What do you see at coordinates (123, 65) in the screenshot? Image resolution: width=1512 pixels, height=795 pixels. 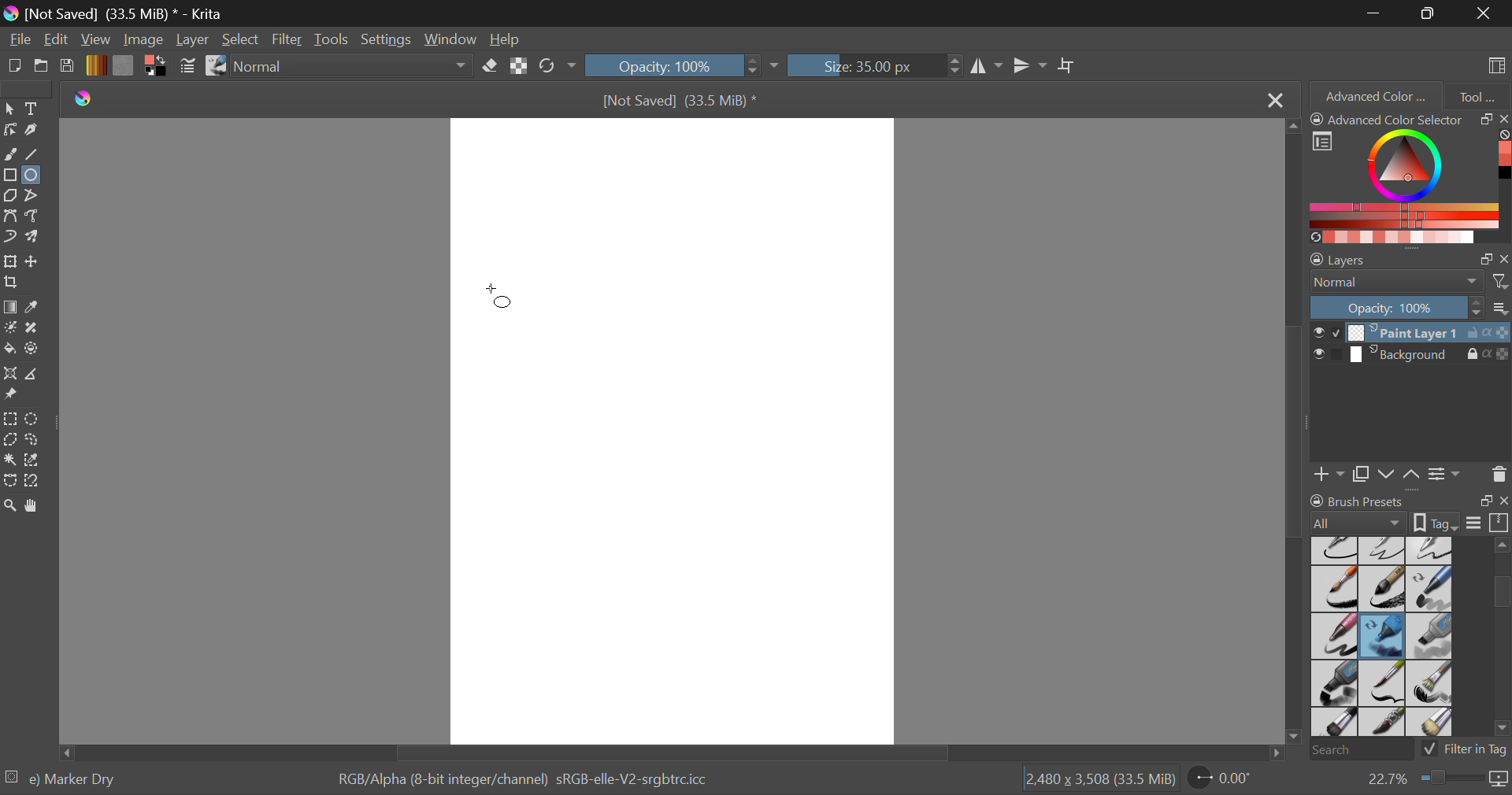 I see `Texture` at bounding box center [123, 65].